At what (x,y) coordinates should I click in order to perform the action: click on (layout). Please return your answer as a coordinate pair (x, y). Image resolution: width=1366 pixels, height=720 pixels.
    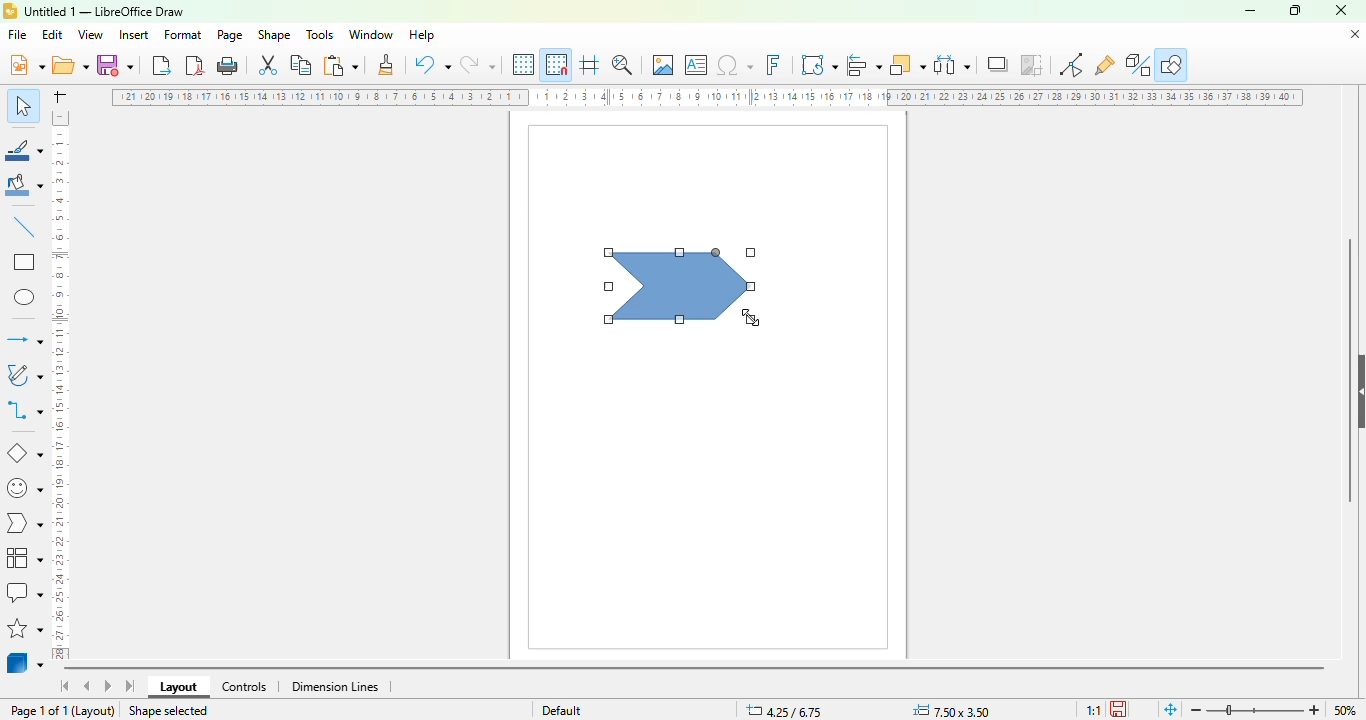
    Looking at the image, I should click on (95, 711).